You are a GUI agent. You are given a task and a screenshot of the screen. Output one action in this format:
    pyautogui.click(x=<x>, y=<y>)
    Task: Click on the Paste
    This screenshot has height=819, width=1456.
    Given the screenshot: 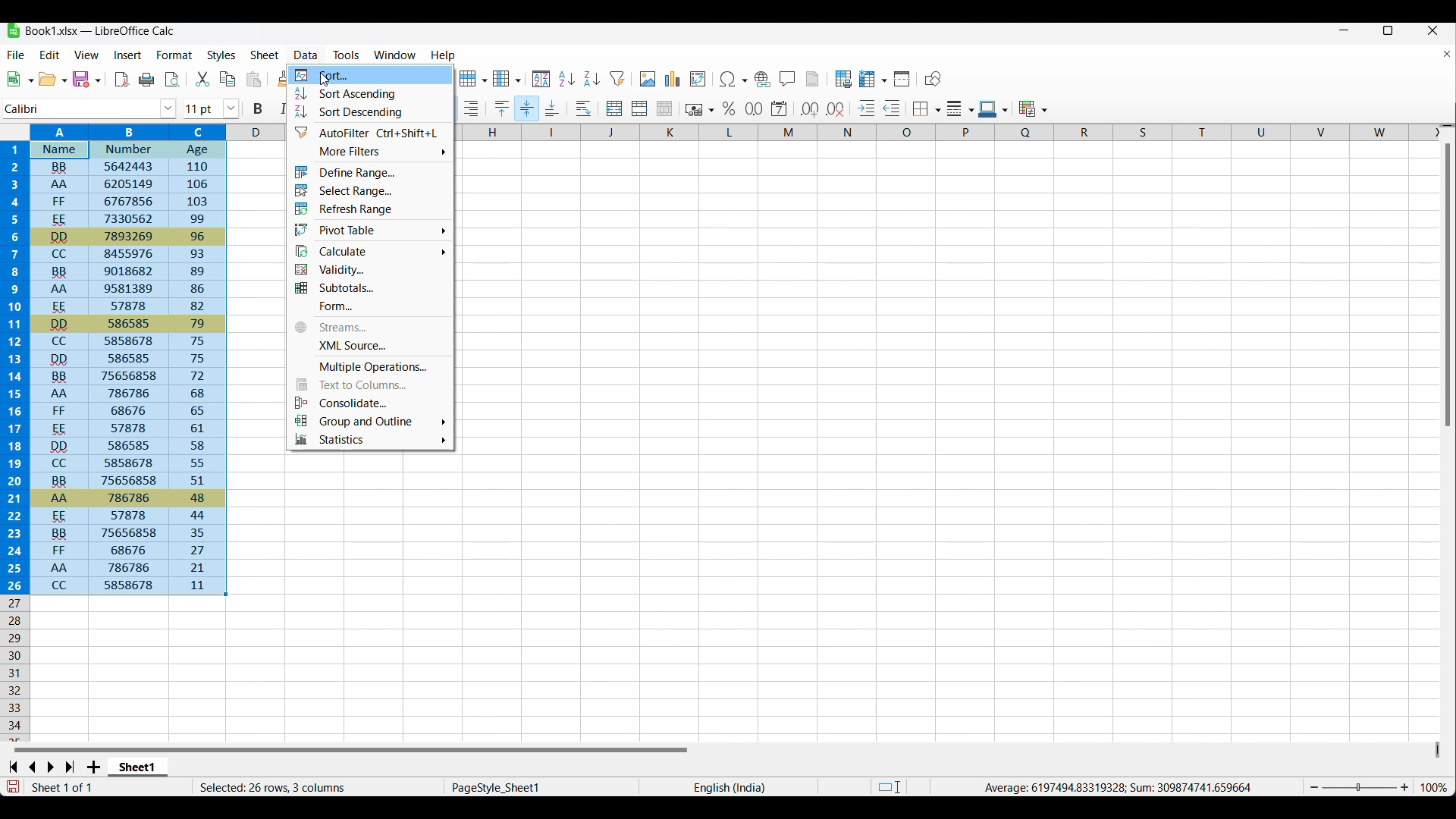 What is the action you would take?
    pyautogui.click(x=254, y=79)
    